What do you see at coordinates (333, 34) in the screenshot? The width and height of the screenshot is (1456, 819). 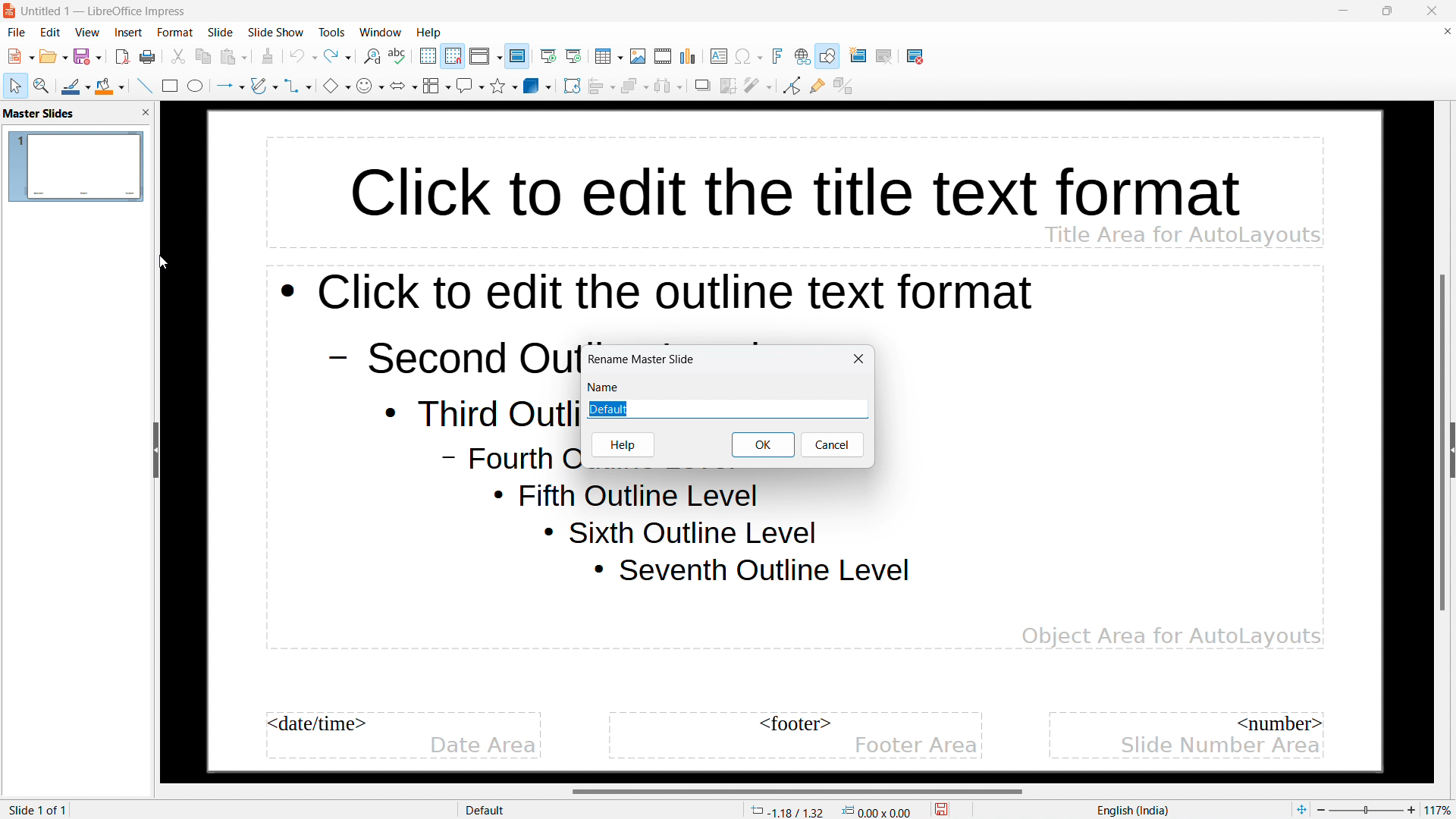 I see `Tools` at bounding box center [333, 34].